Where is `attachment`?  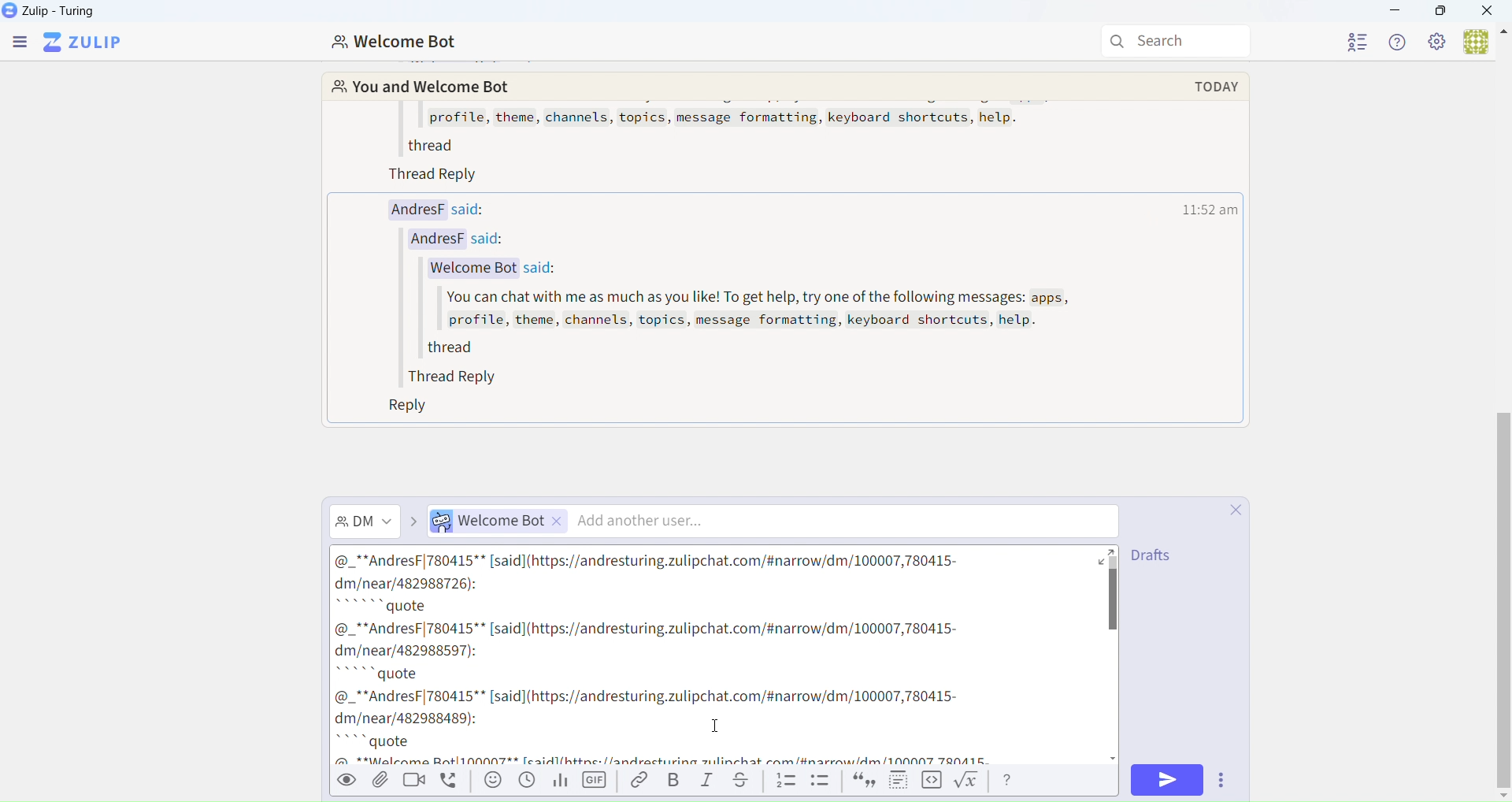
attachment is located at coordinates (380, 785).